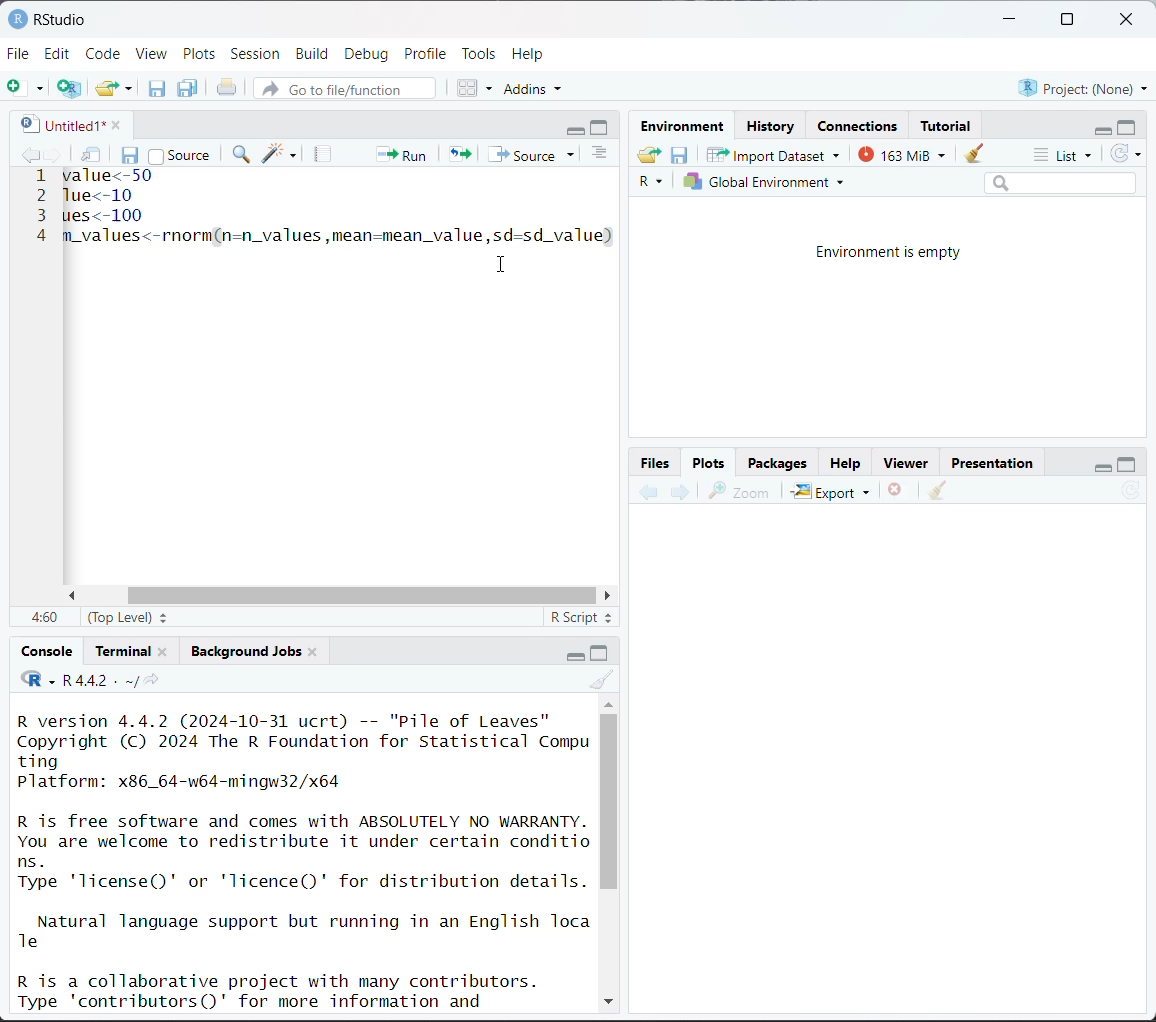 This screenshot has width=1156, height=1022. What do you see at coordinates (1131, 493) in the screenshot?
I see `refresh current plot` at bounding box center [1131, 493].